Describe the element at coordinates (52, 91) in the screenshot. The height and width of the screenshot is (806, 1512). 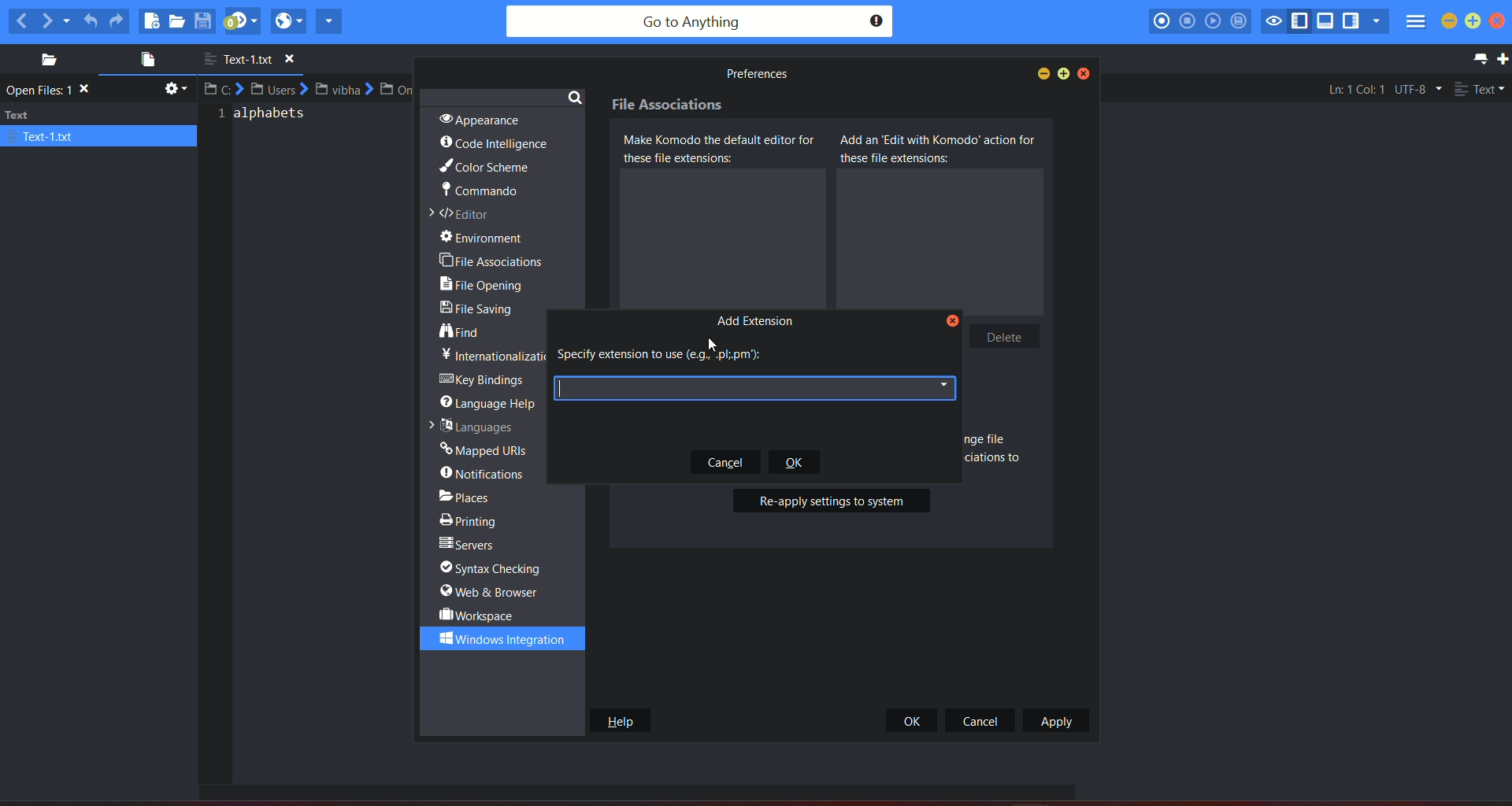
I see `text` at that location.